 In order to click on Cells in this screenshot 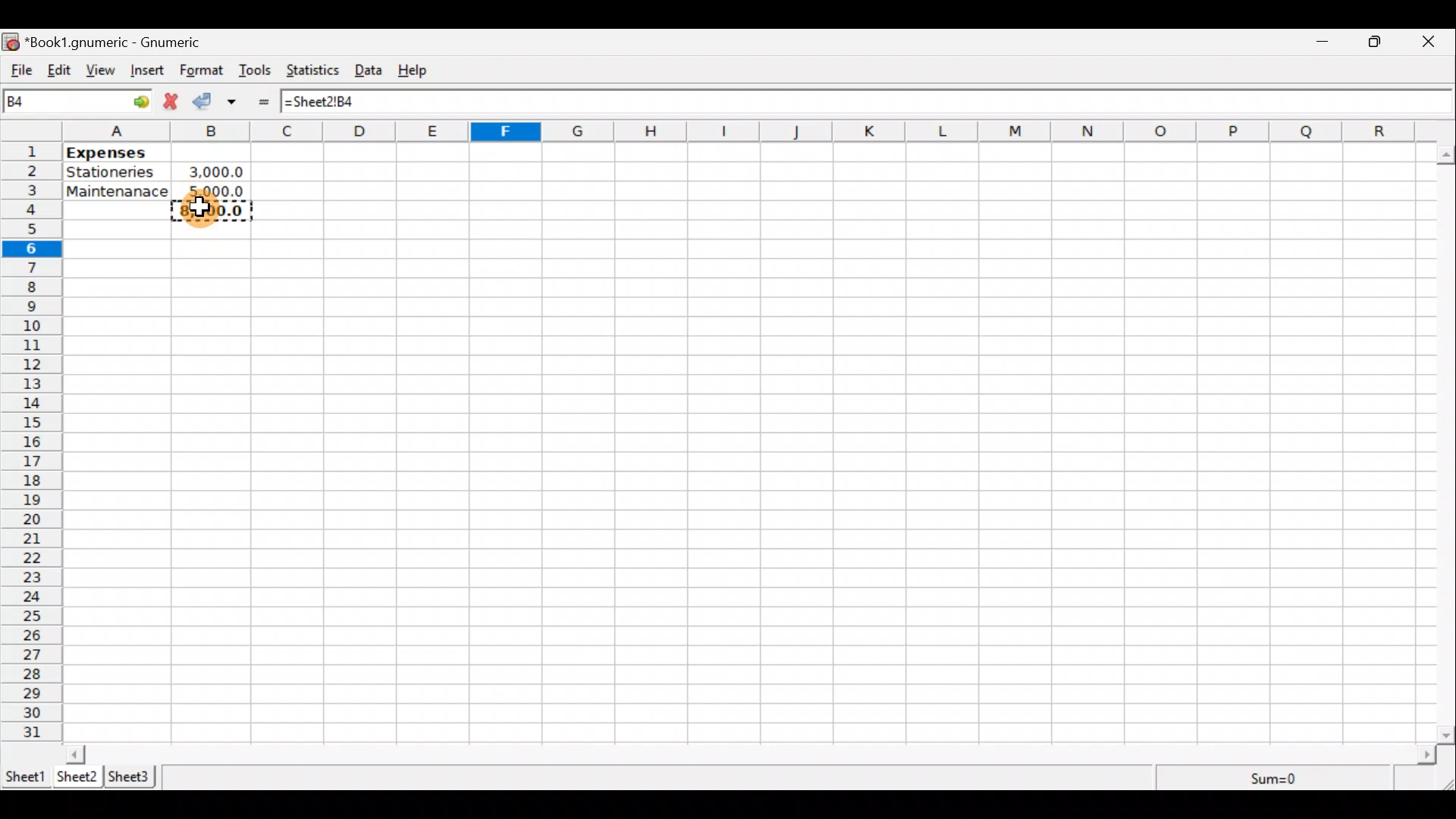, I will do `click(847, 441)`.